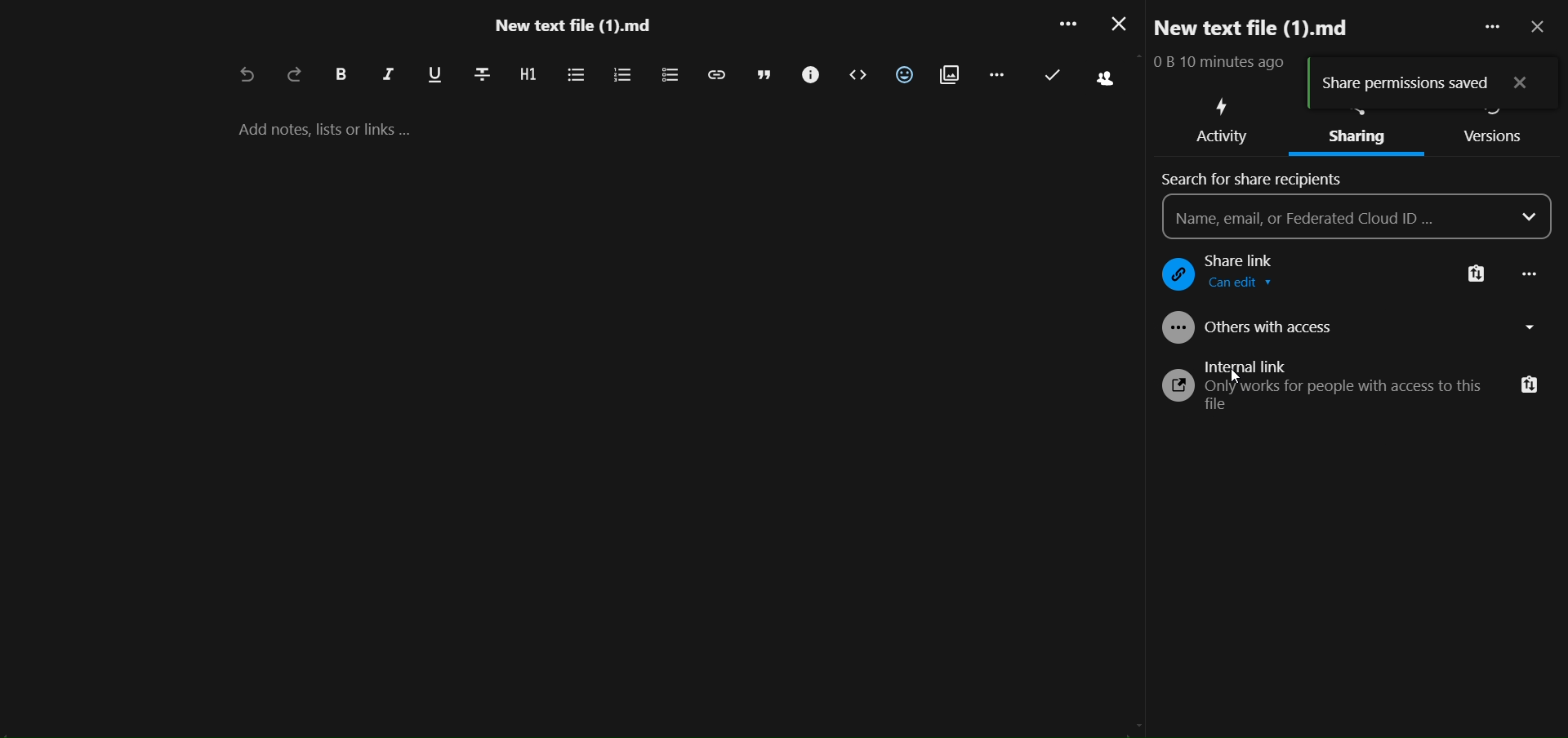 This screenshot has width=1568, height=738. Describe the element at coordinates (1532, 276) in the screenshot. I see `more` at that location.